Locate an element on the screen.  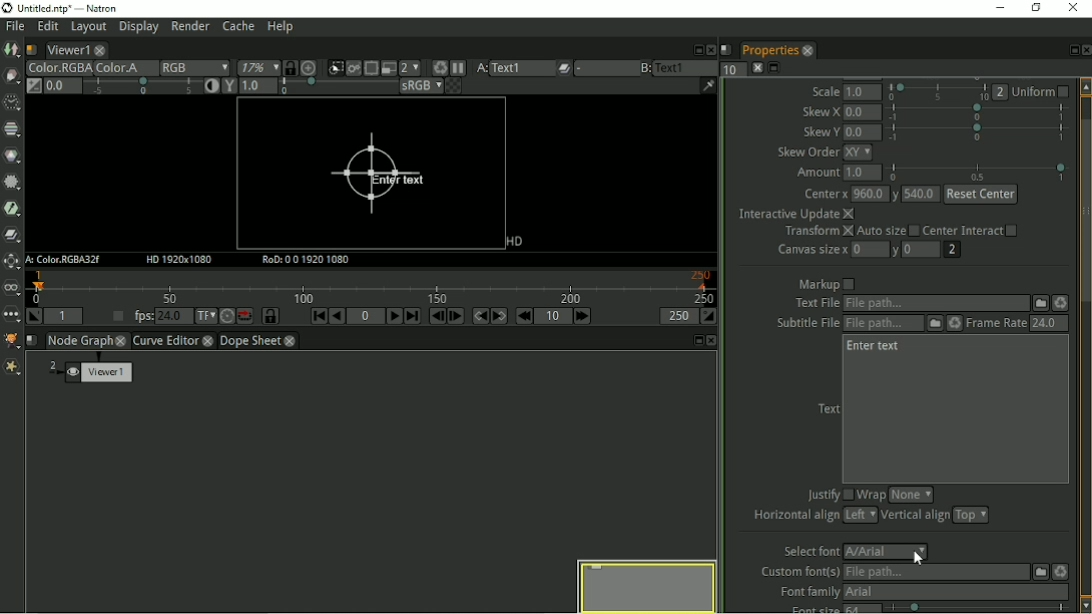
Switch between "Neutral" 1.0 gain f-stop and the previous setting  is located at coordinates (33, 86).